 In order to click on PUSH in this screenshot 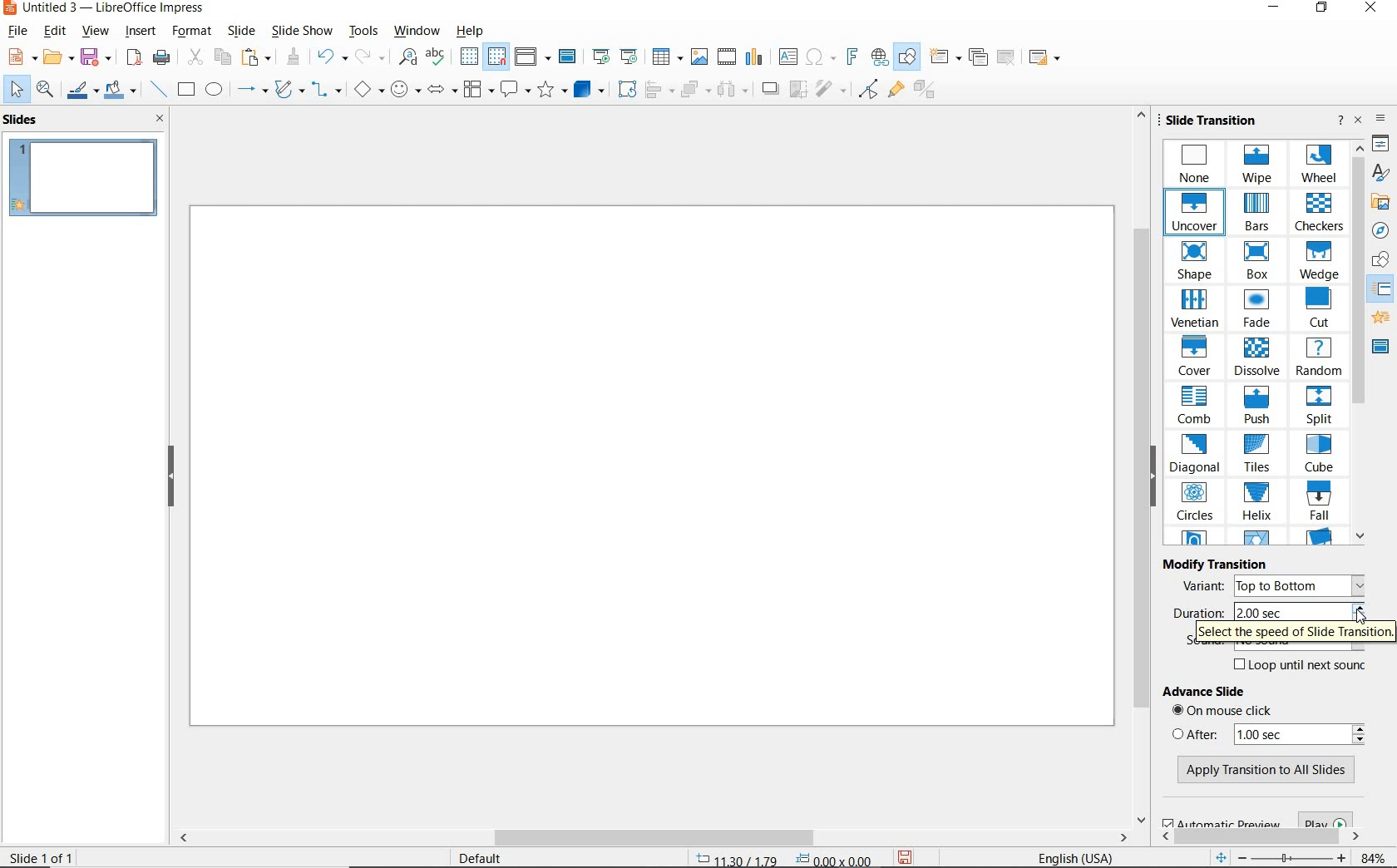, I will do `click(1258, 407)`.